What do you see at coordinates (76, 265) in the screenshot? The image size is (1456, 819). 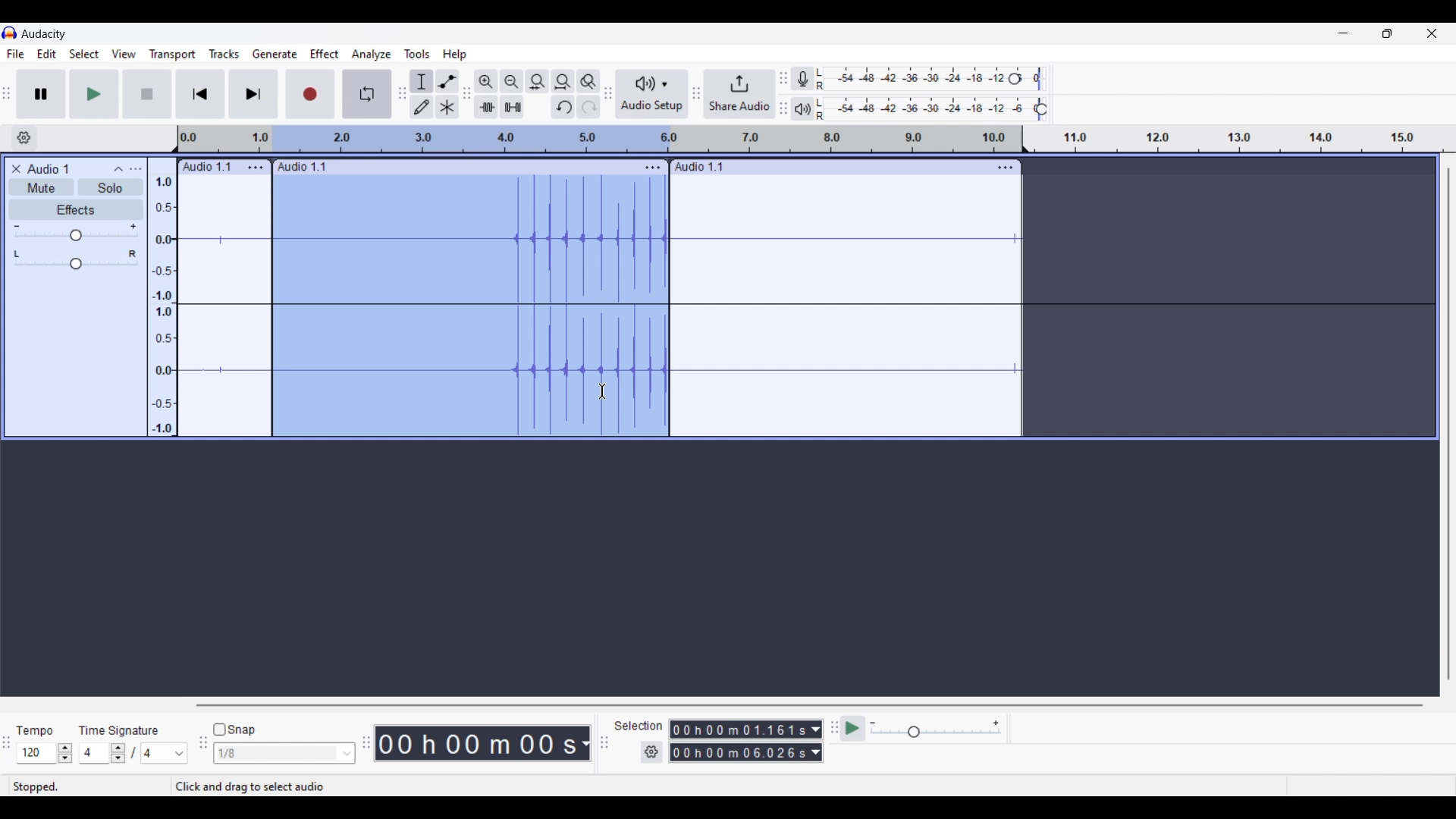 I see `Pan` at bounding box center [76, 265].